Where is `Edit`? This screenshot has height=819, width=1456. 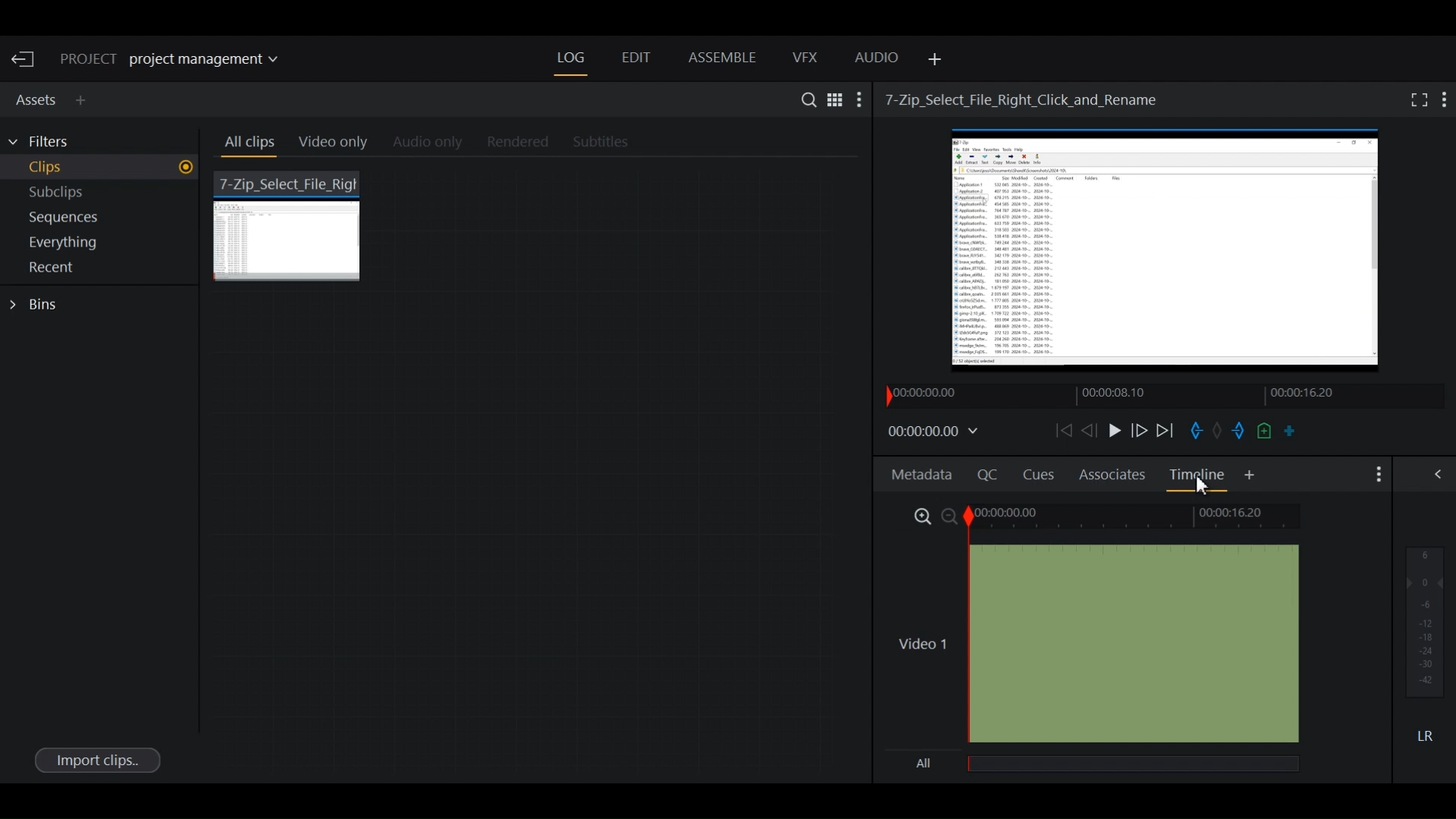 Edit is located at coordinates (635, 59).